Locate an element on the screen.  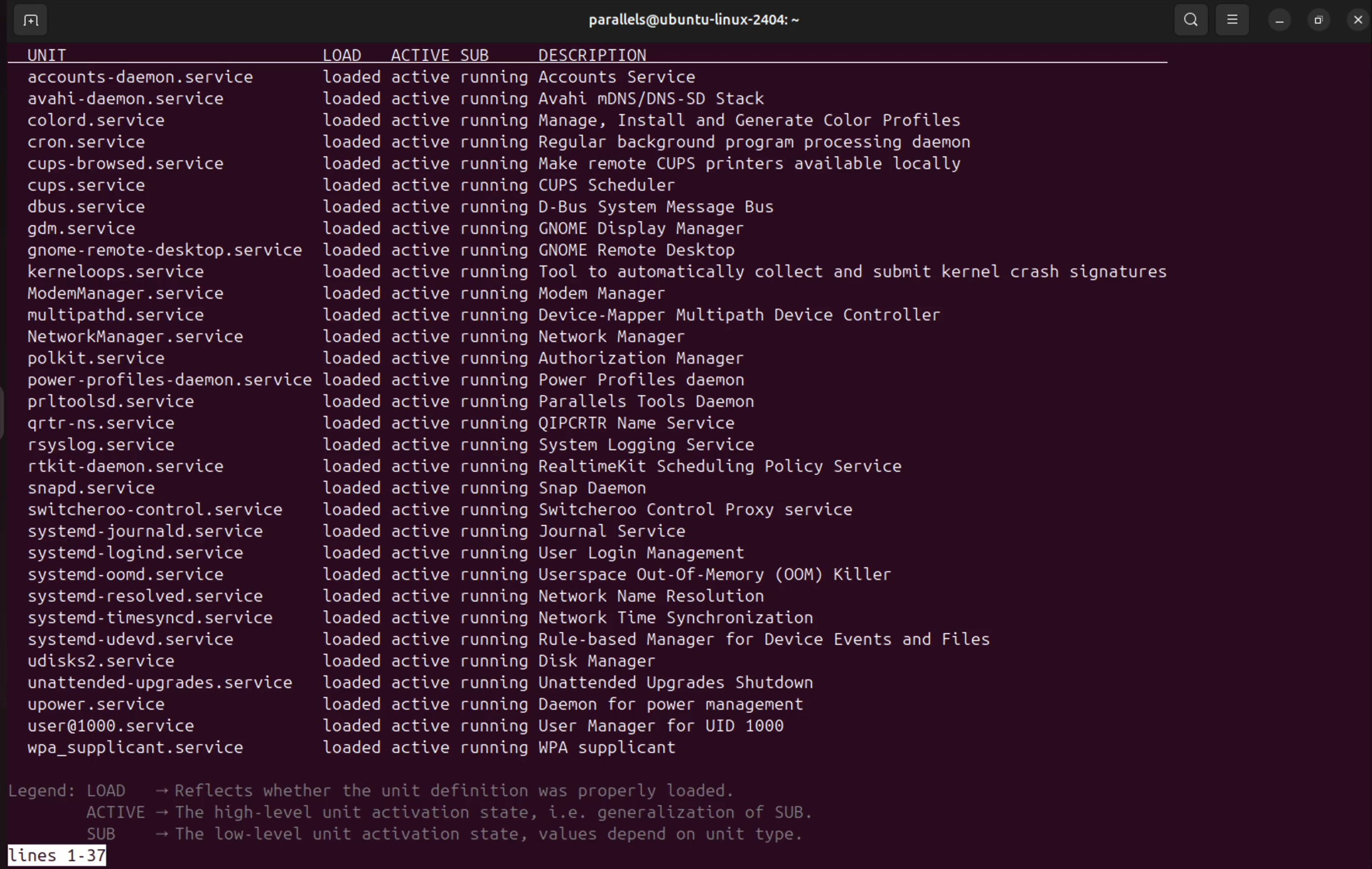
loaded is located at coordinates (354, 230).